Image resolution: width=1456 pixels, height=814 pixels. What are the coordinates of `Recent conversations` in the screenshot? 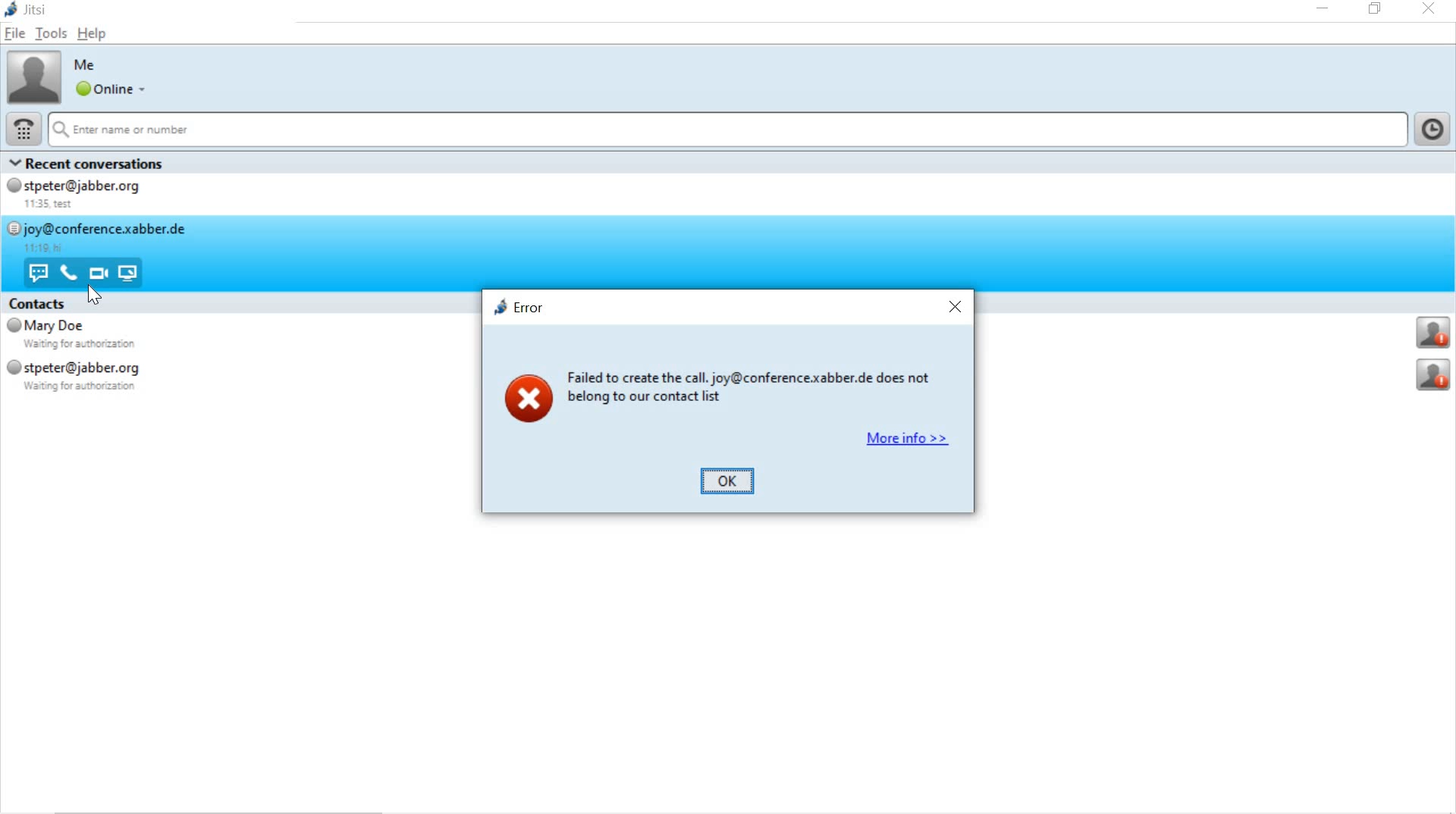 It's located at (108, 163).